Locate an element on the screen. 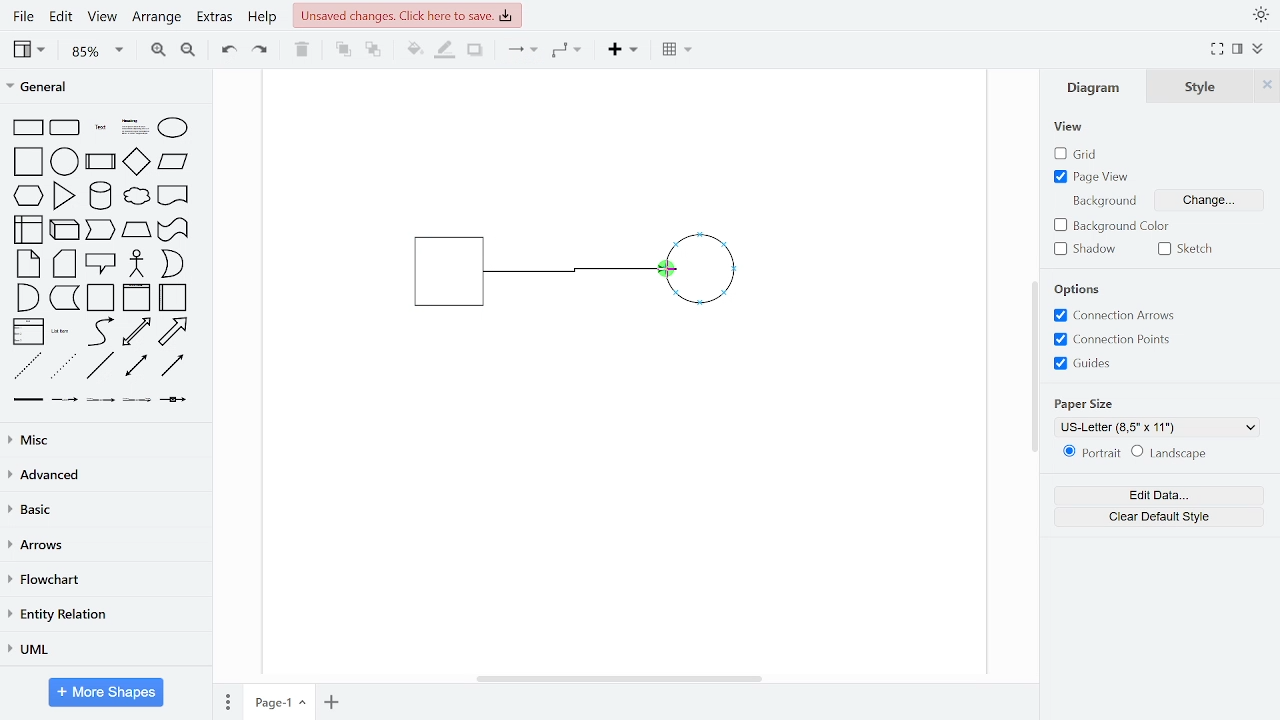 This screenshot has height=720, width=1280. style is located at coordinates (1201, 86).